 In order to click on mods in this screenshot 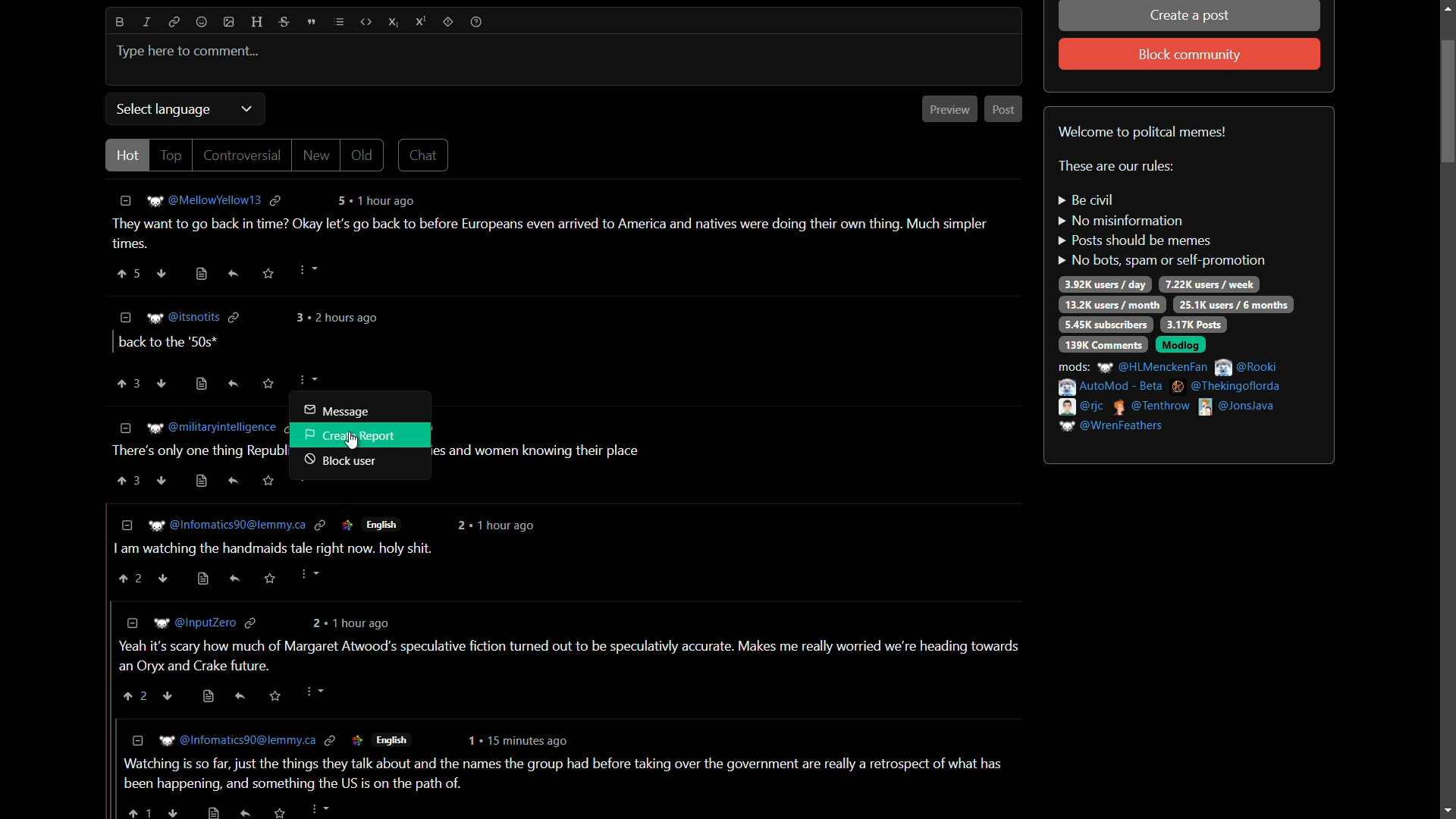, I will do `click(1172, 396)`.